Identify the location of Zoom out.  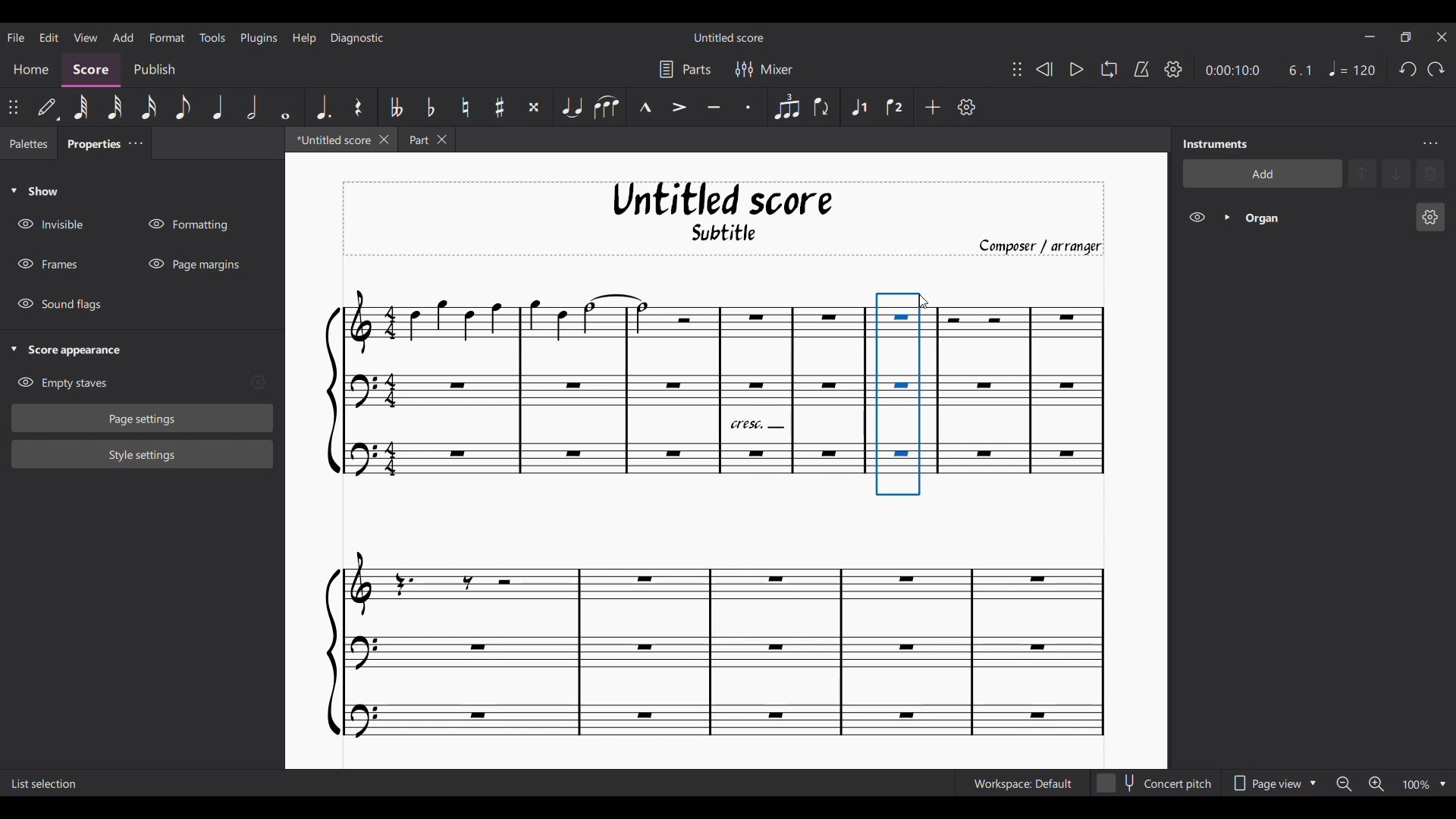
(1344, 783).